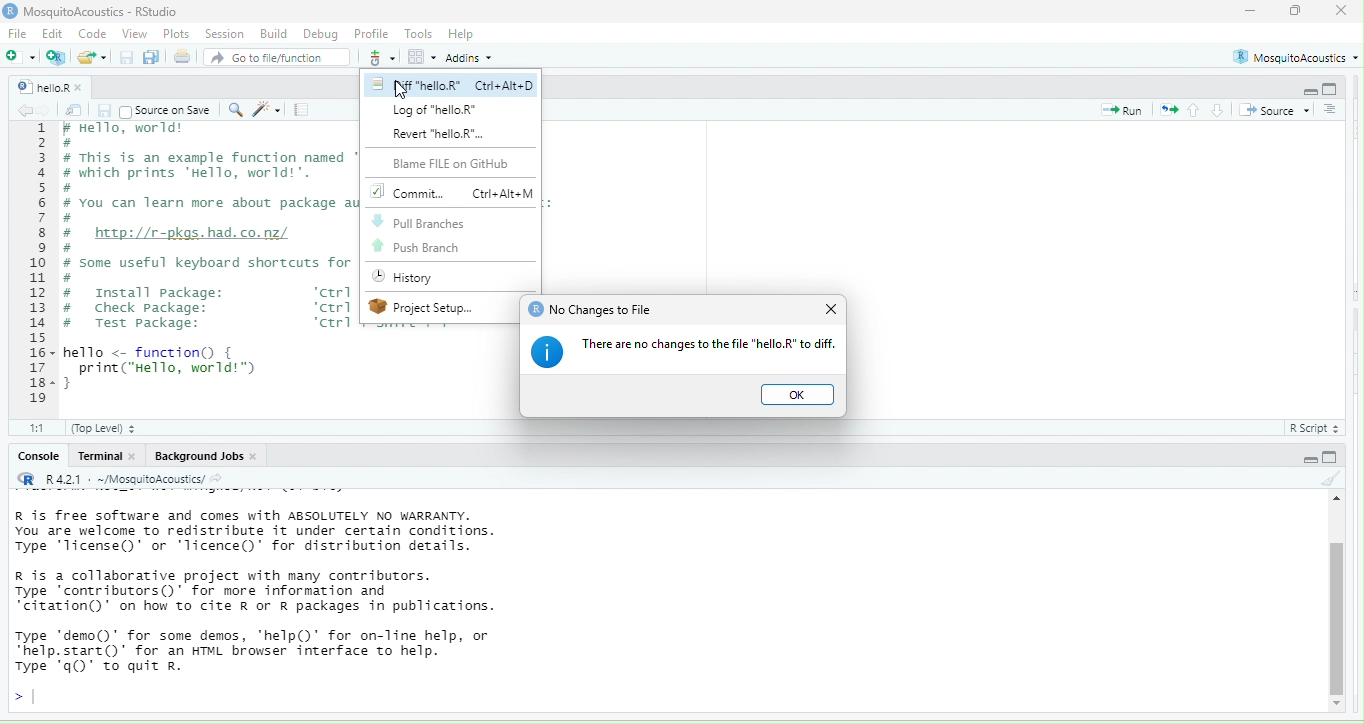 Image resolution: width=1364 pixels, height=724 pixels. Describe the element at coordinates (1170, 110) in the screenshot. I see `re run the previous code` at that location.